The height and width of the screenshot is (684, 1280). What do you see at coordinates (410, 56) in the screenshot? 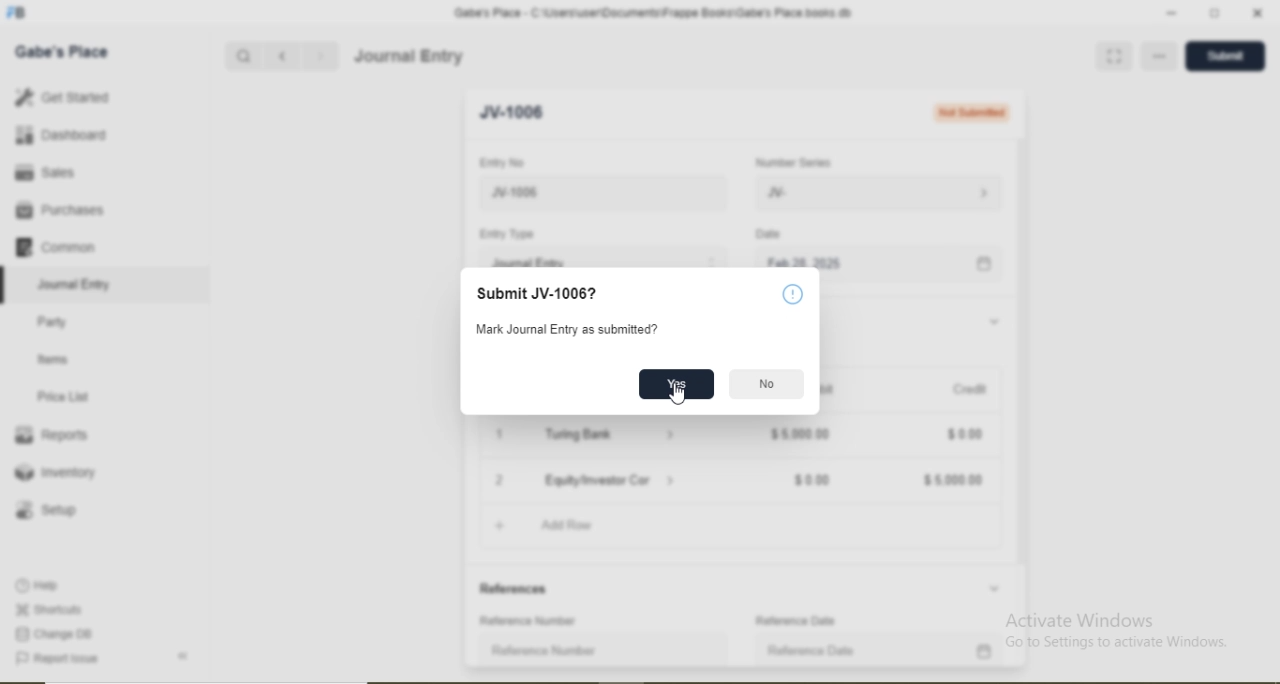
I see `Journal Entry` at bounding box center [410, 56].